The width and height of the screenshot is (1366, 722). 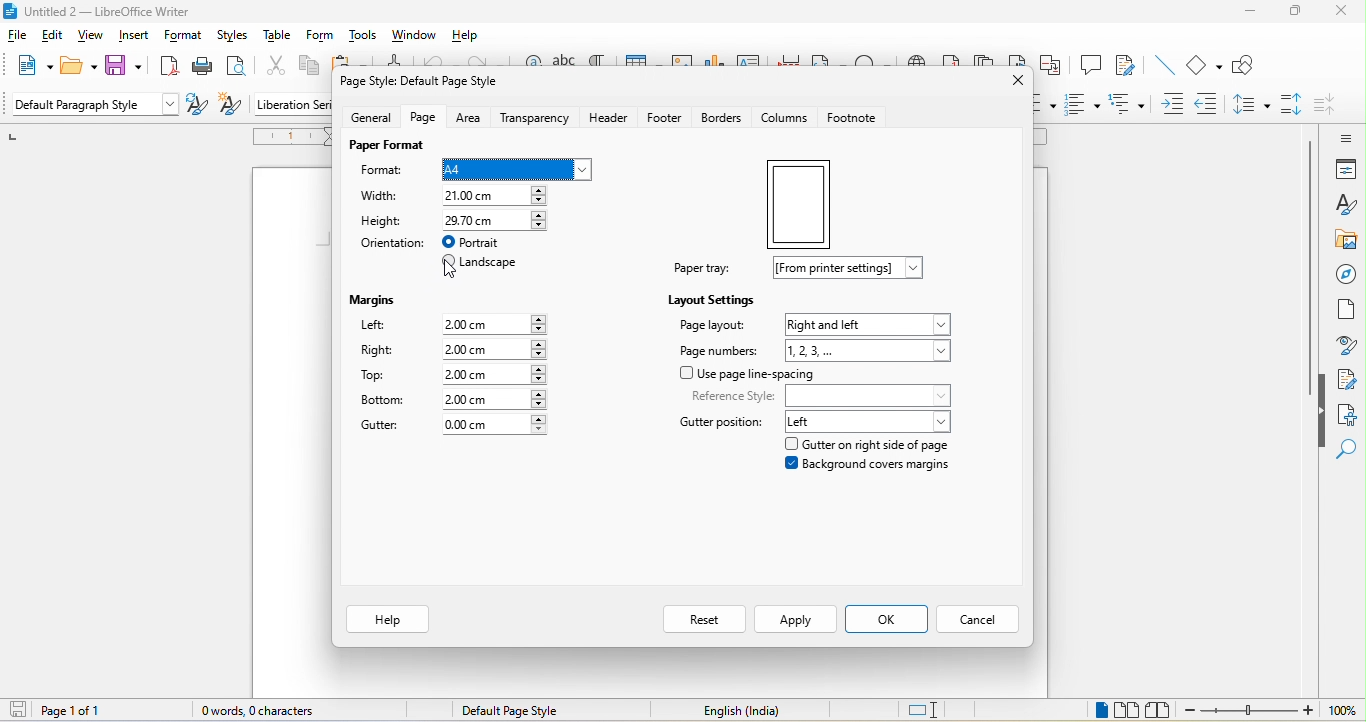 What do you see at coordinates (1016, 84) in the screenshot?
I see `close` at bounding box center [1016, 84].